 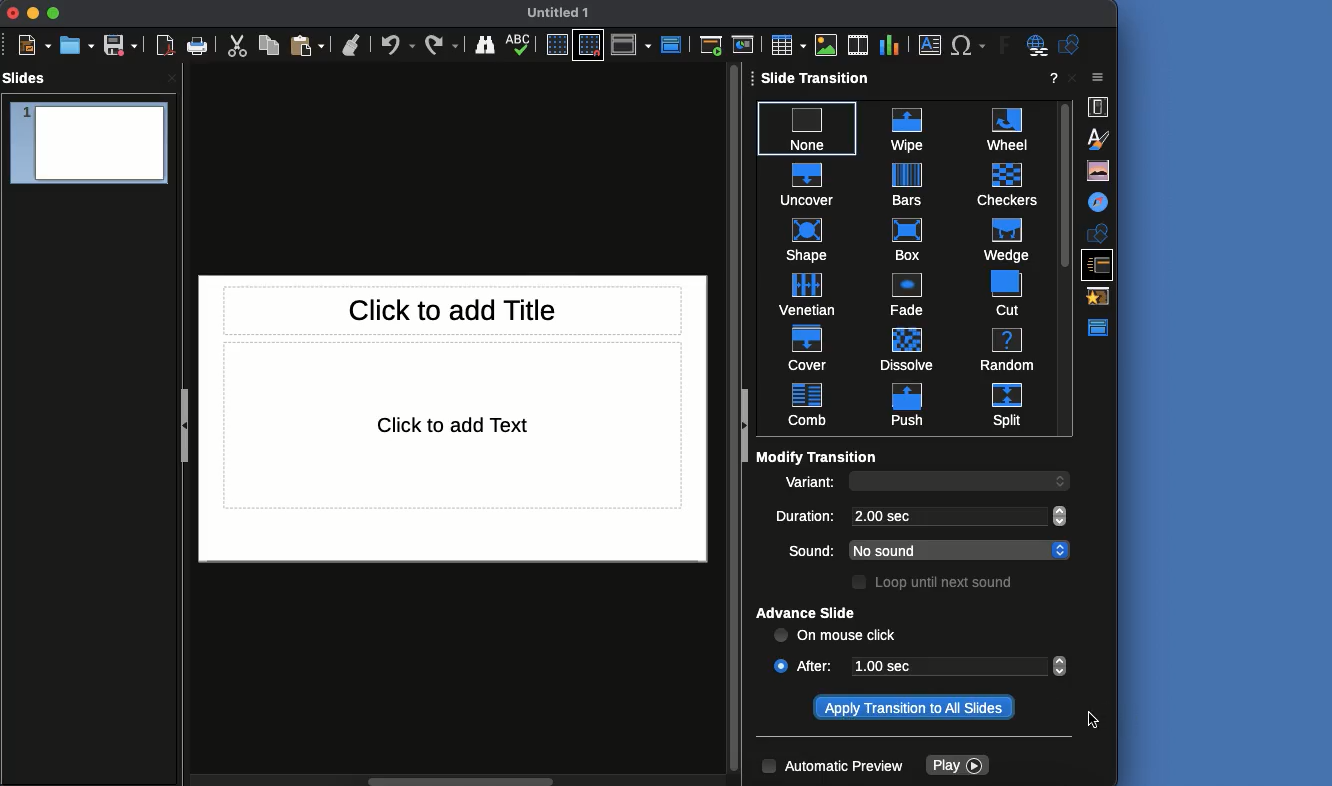 I want to click on uncover, so click(x=806, y=181).